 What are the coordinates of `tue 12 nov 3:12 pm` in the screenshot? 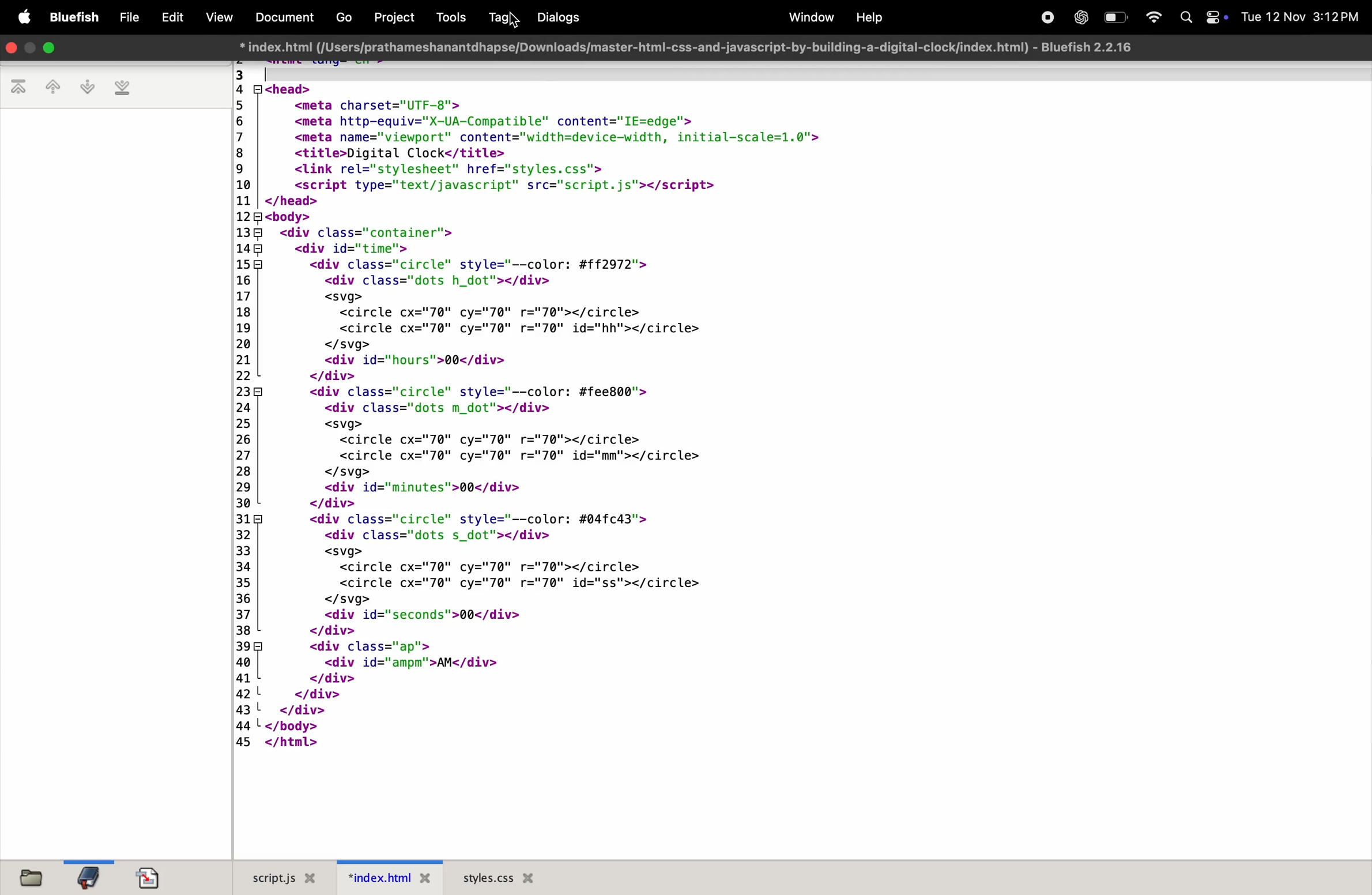 It's located at (1301, 17).